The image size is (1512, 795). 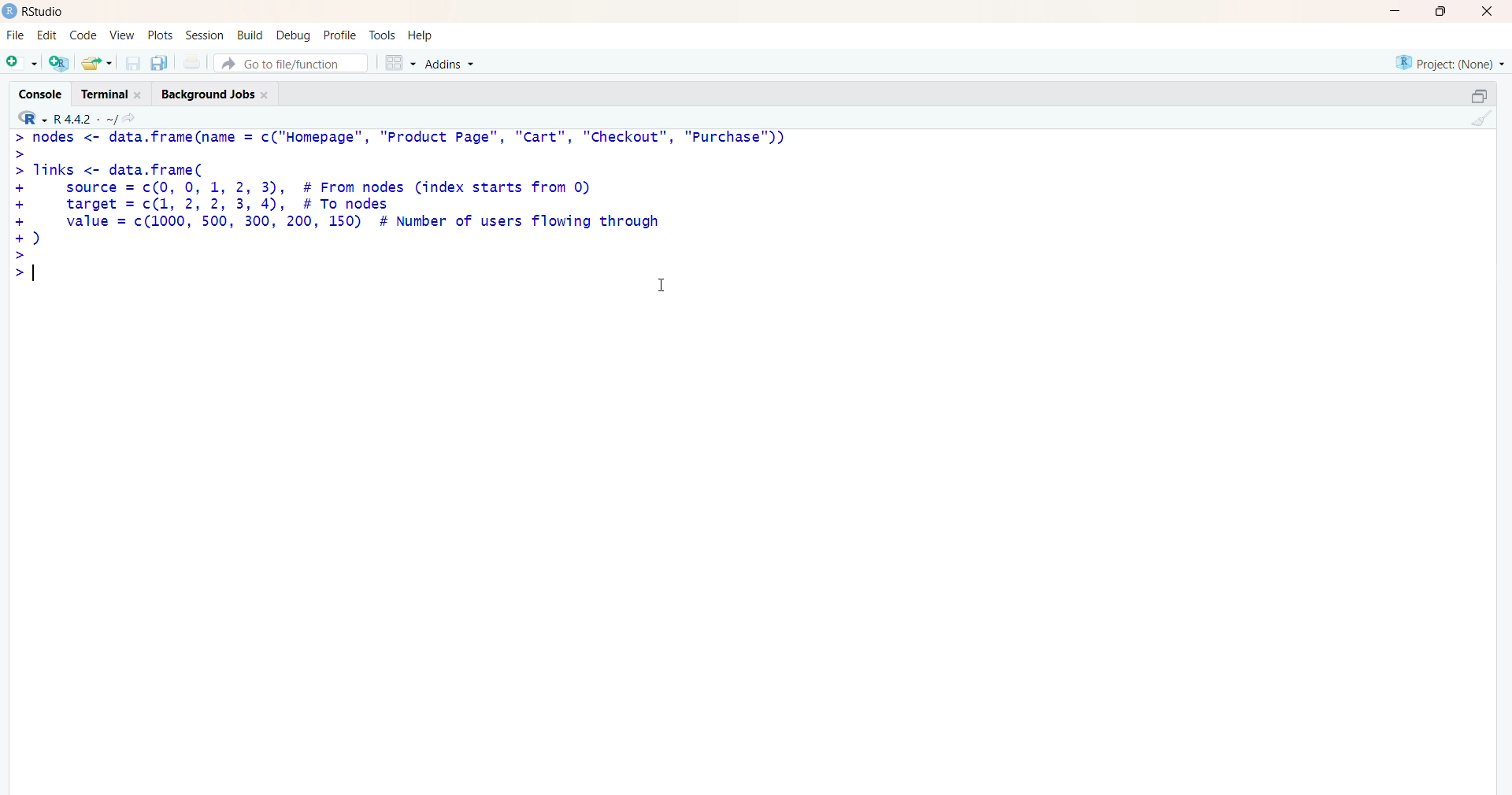 What do you see at coordinates (15, 32) in the screenshot?
I see `file` at bounding box center [15, 32].